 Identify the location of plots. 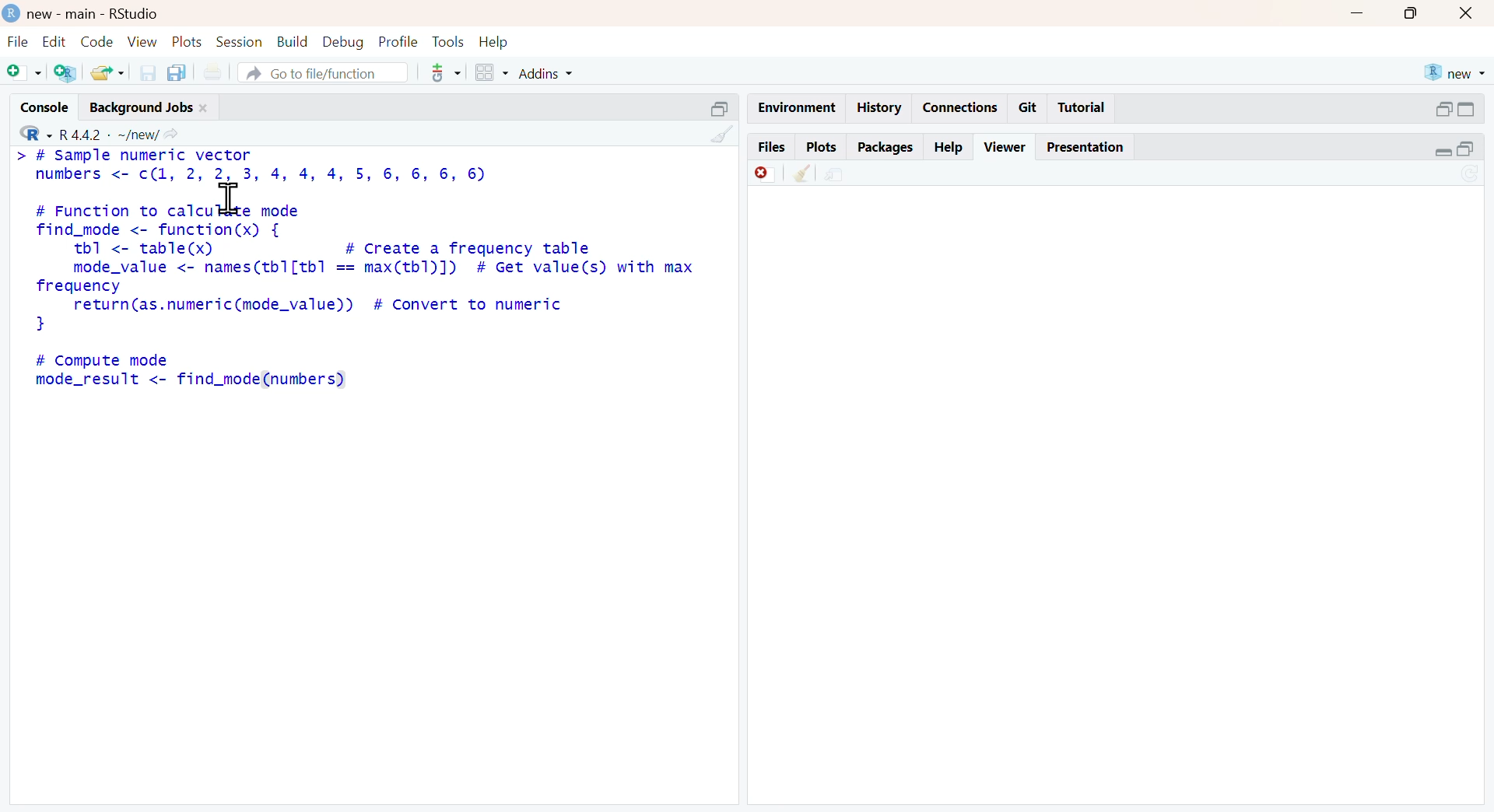
(188, 41).